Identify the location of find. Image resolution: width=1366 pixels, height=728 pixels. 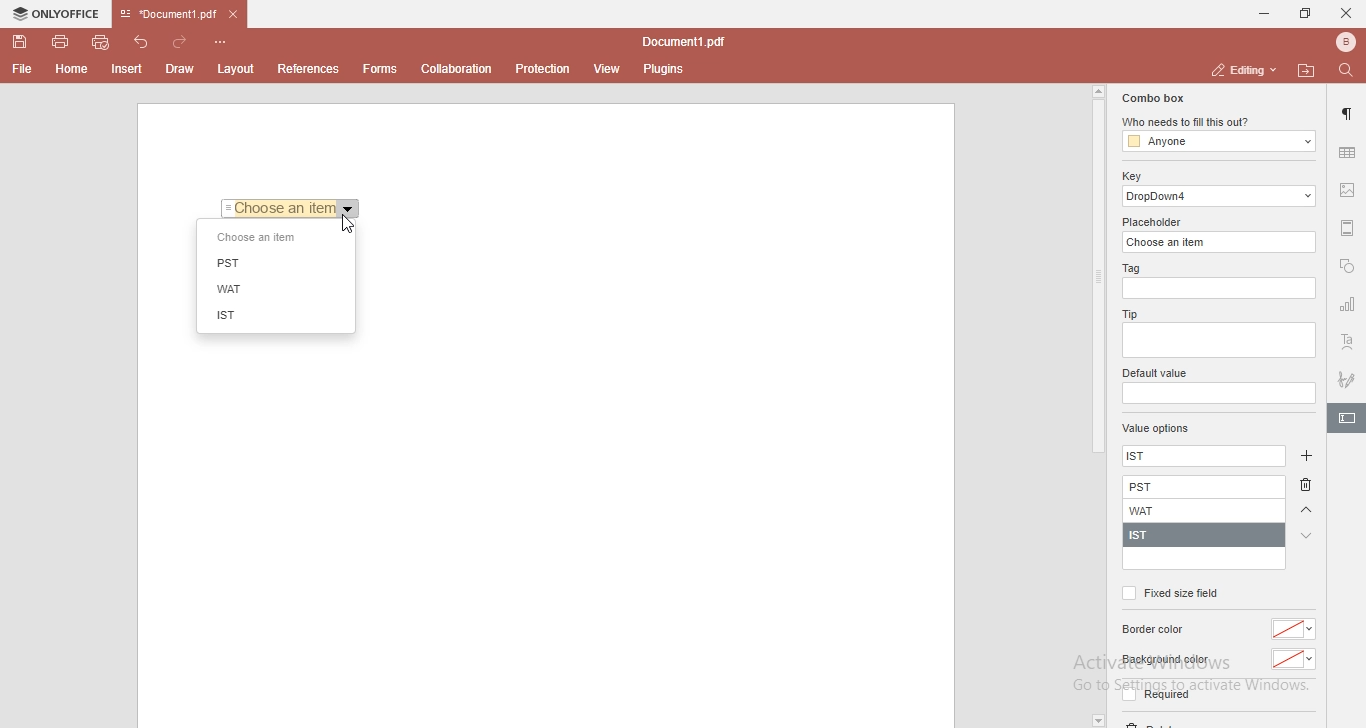
(1350, 69).